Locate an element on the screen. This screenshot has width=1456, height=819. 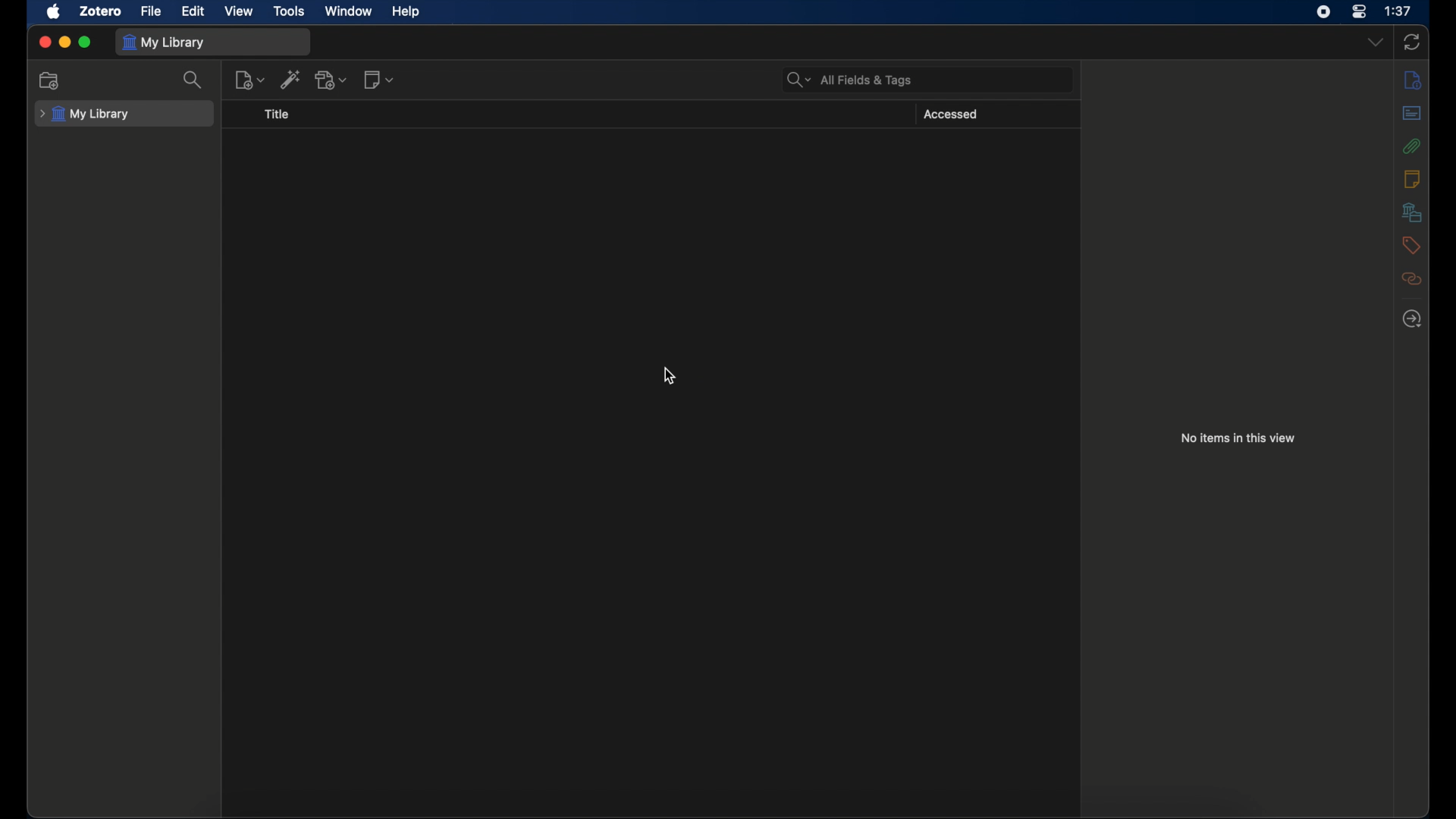
title is located at coordinates (282, 118).